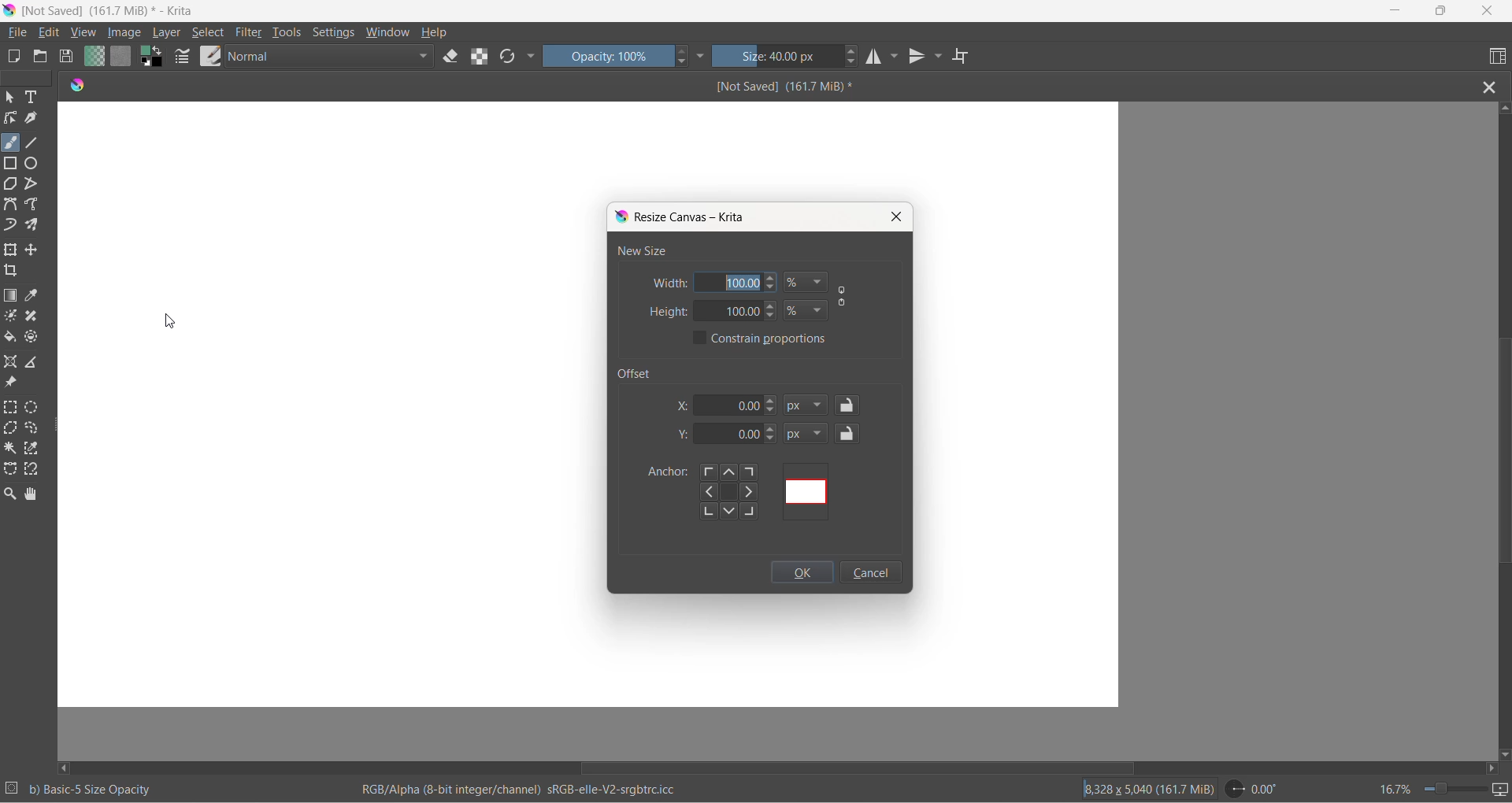 The image size is (1512, 803). I want to click on decrement height, so click(773, 319).